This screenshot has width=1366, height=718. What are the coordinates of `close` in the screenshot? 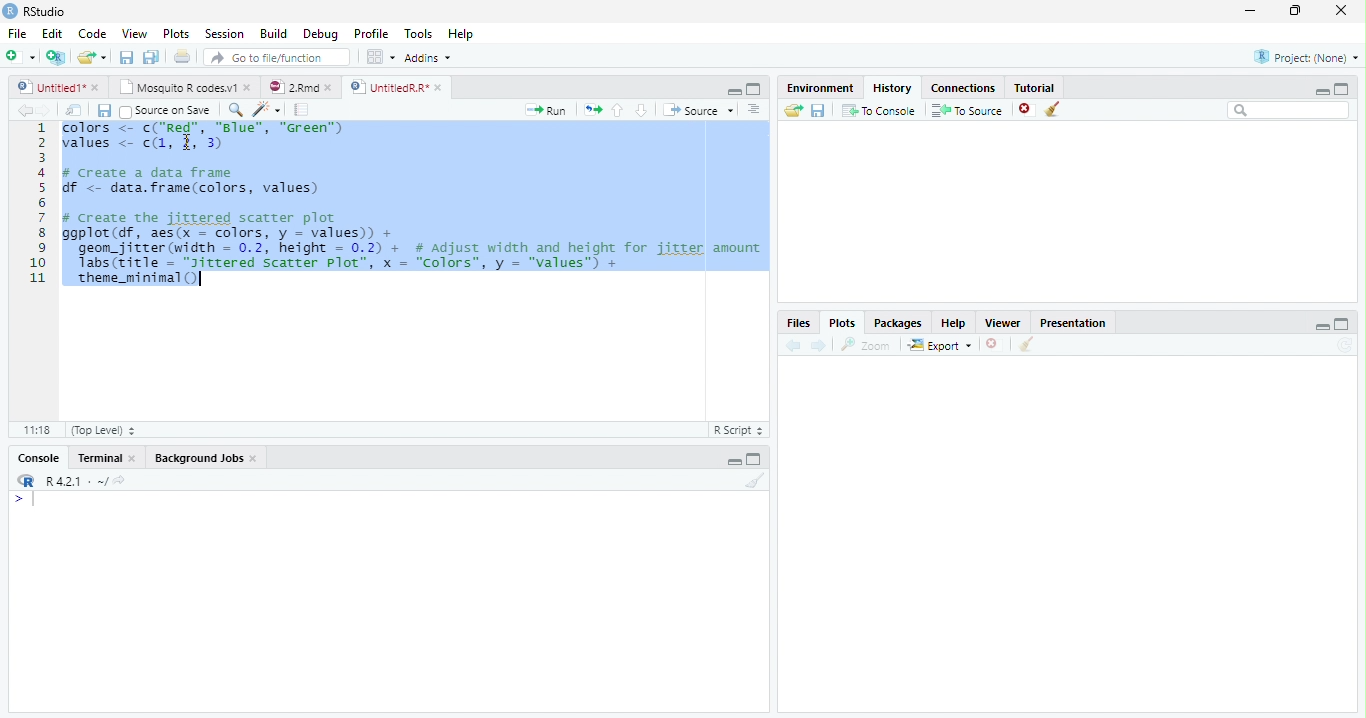 It's located at (1341, 10).